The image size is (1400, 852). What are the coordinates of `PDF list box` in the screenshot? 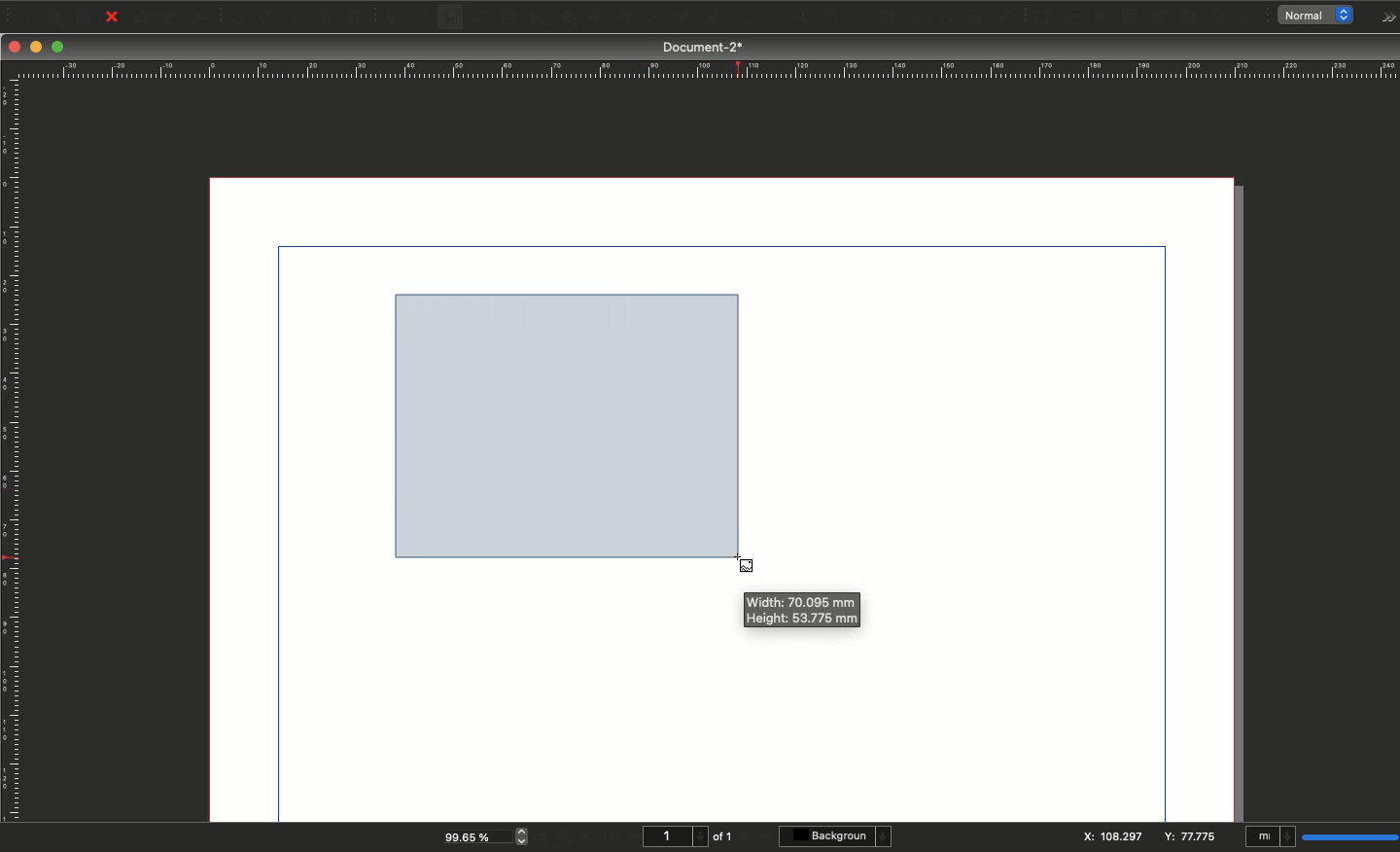 It's located at (1189, 18).